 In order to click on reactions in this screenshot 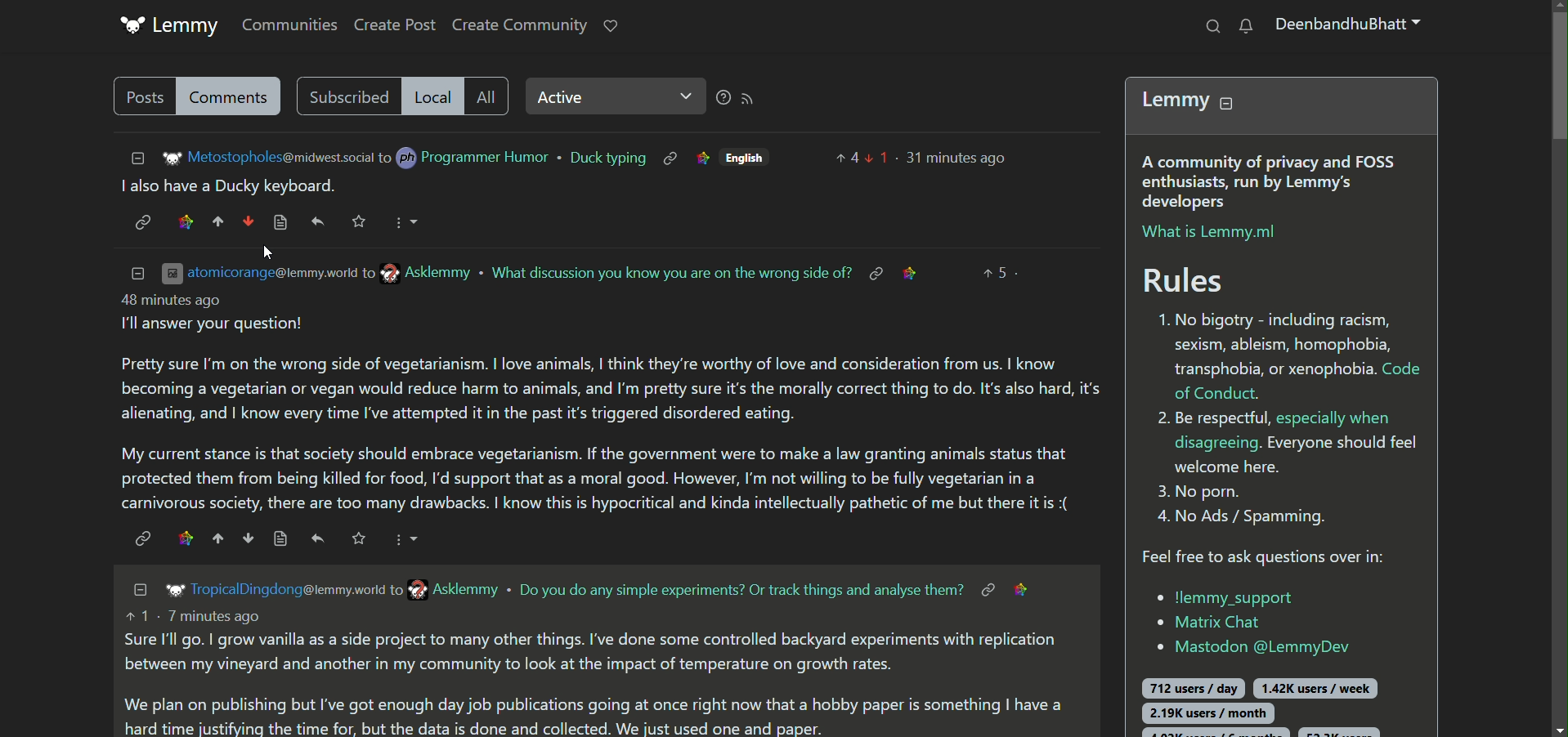, I will do `click(1000, 271)`.